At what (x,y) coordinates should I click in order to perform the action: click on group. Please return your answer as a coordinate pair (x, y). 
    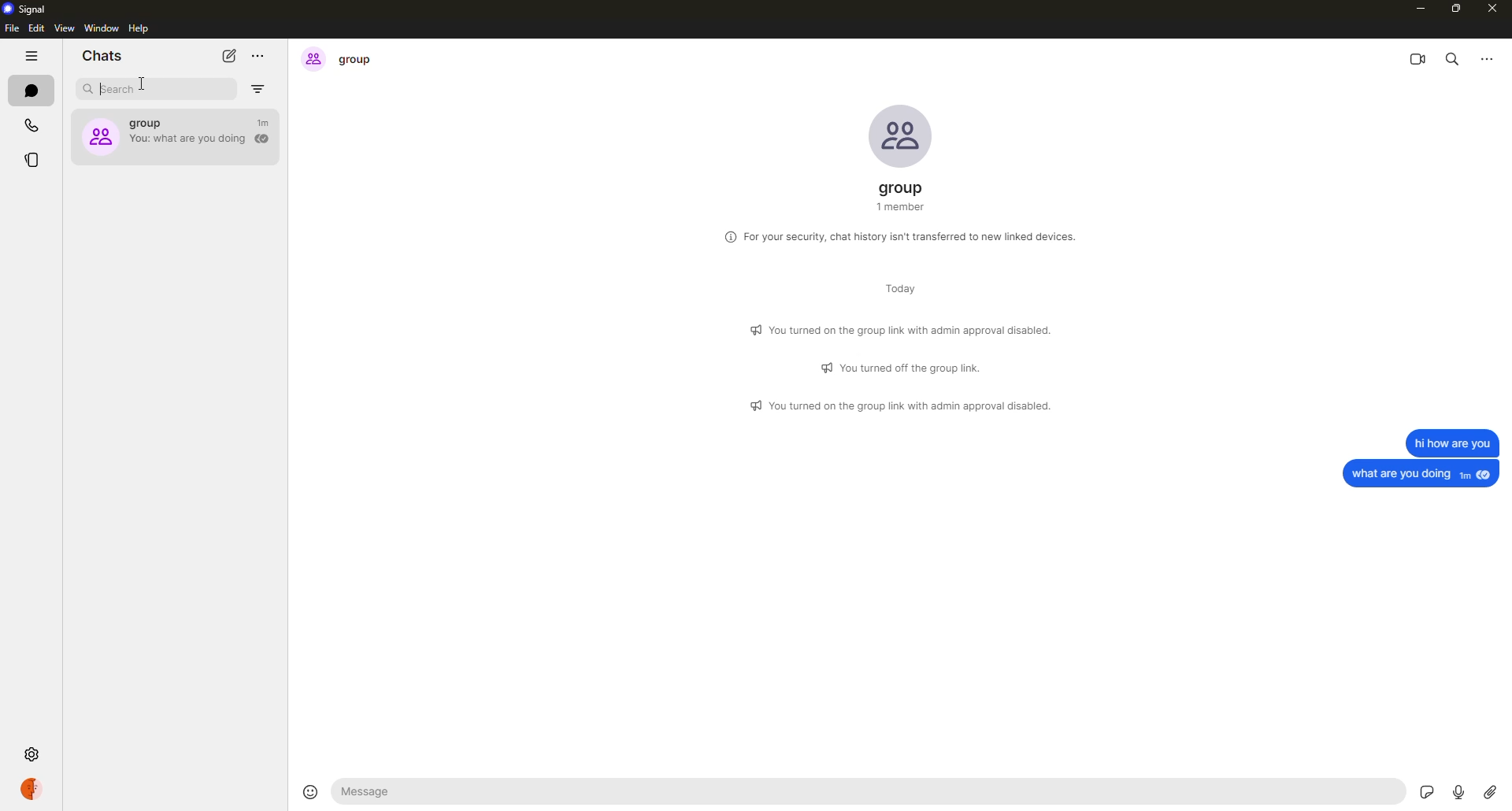
    Looking at the image, I should click on (341, 58).